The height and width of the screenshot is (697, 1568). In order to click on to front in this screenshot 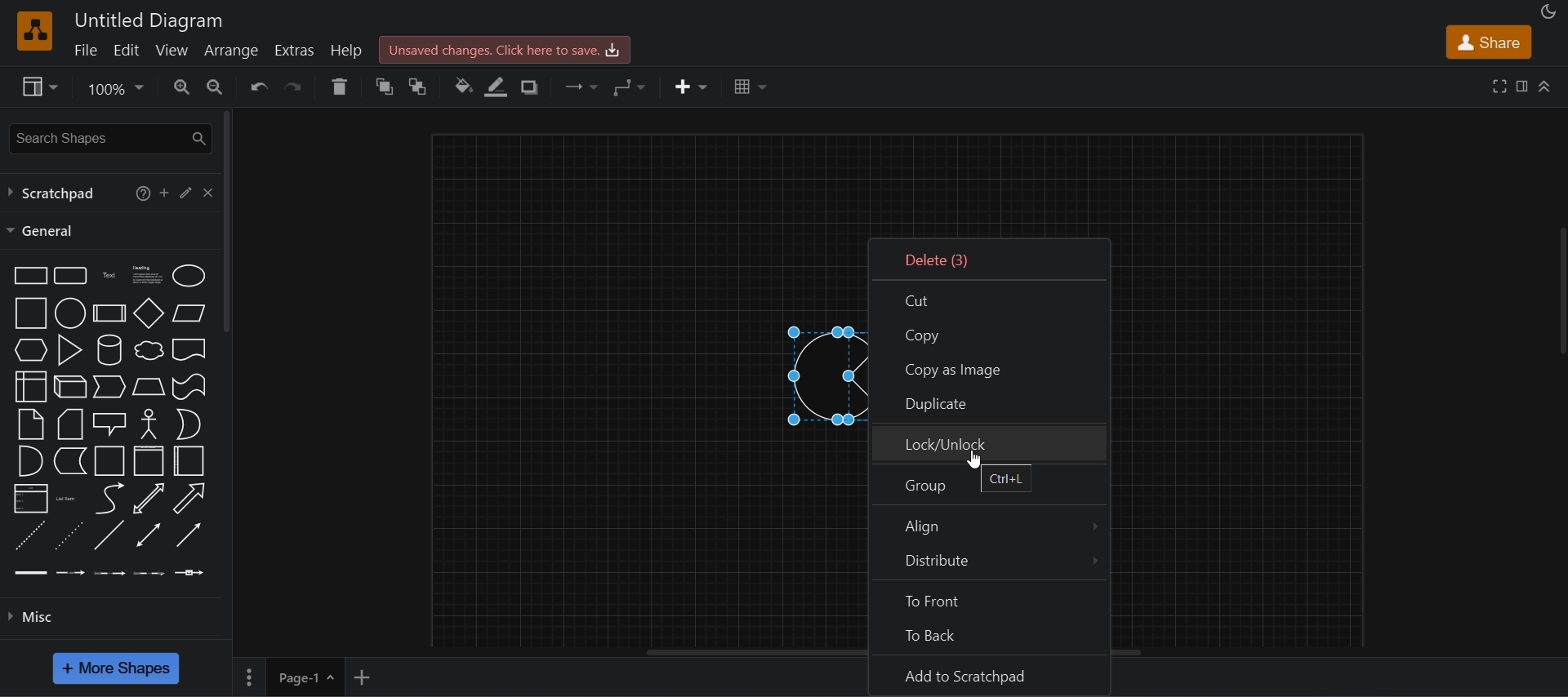, I will do `click(990, 596)`.